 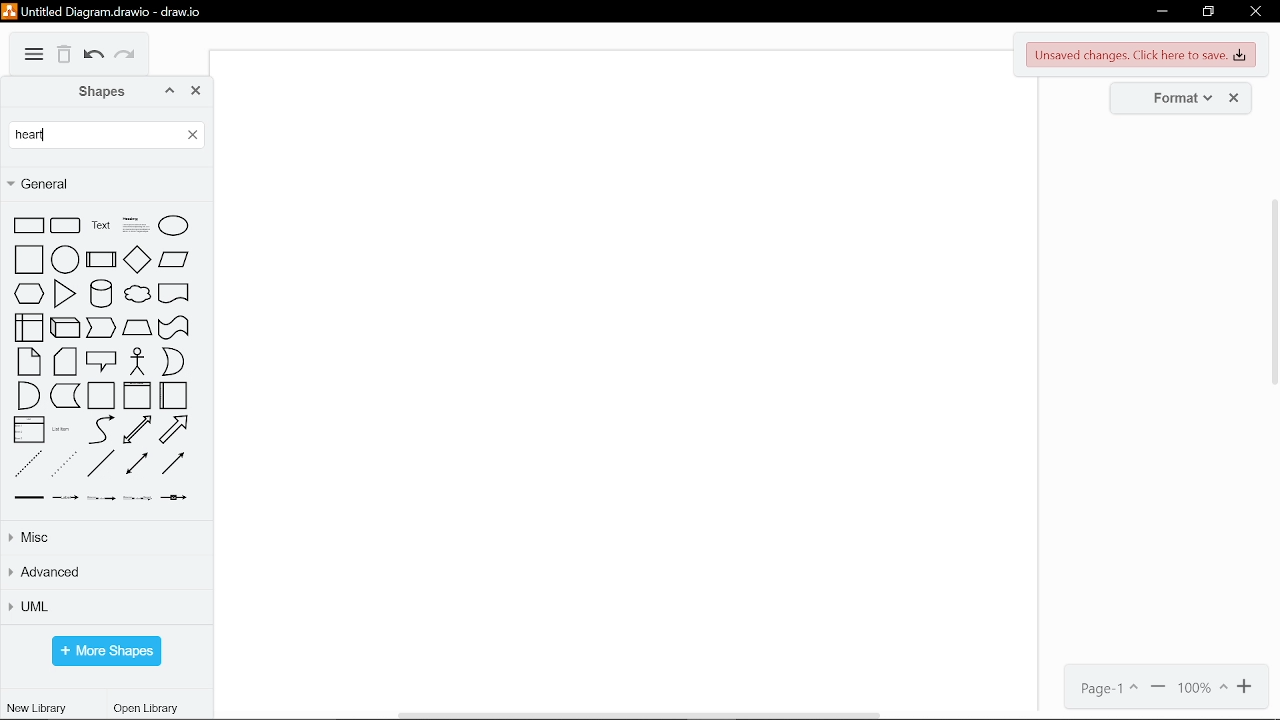 I want to click on data storage, so click(x=66, y=397).